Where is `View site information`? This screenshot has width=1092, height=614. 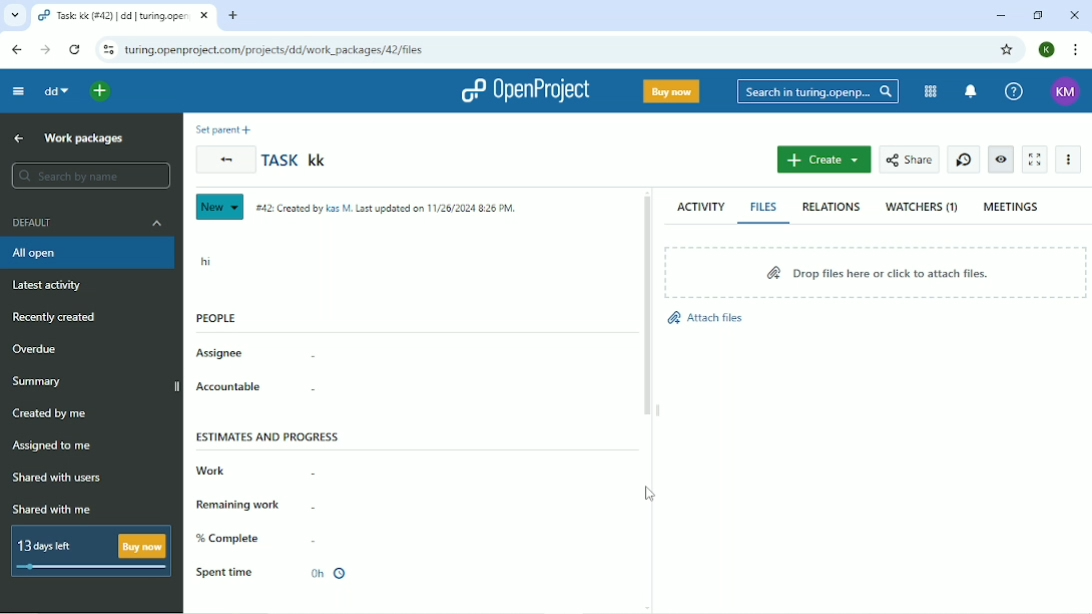
View site information is located at coordinates (107, 50).